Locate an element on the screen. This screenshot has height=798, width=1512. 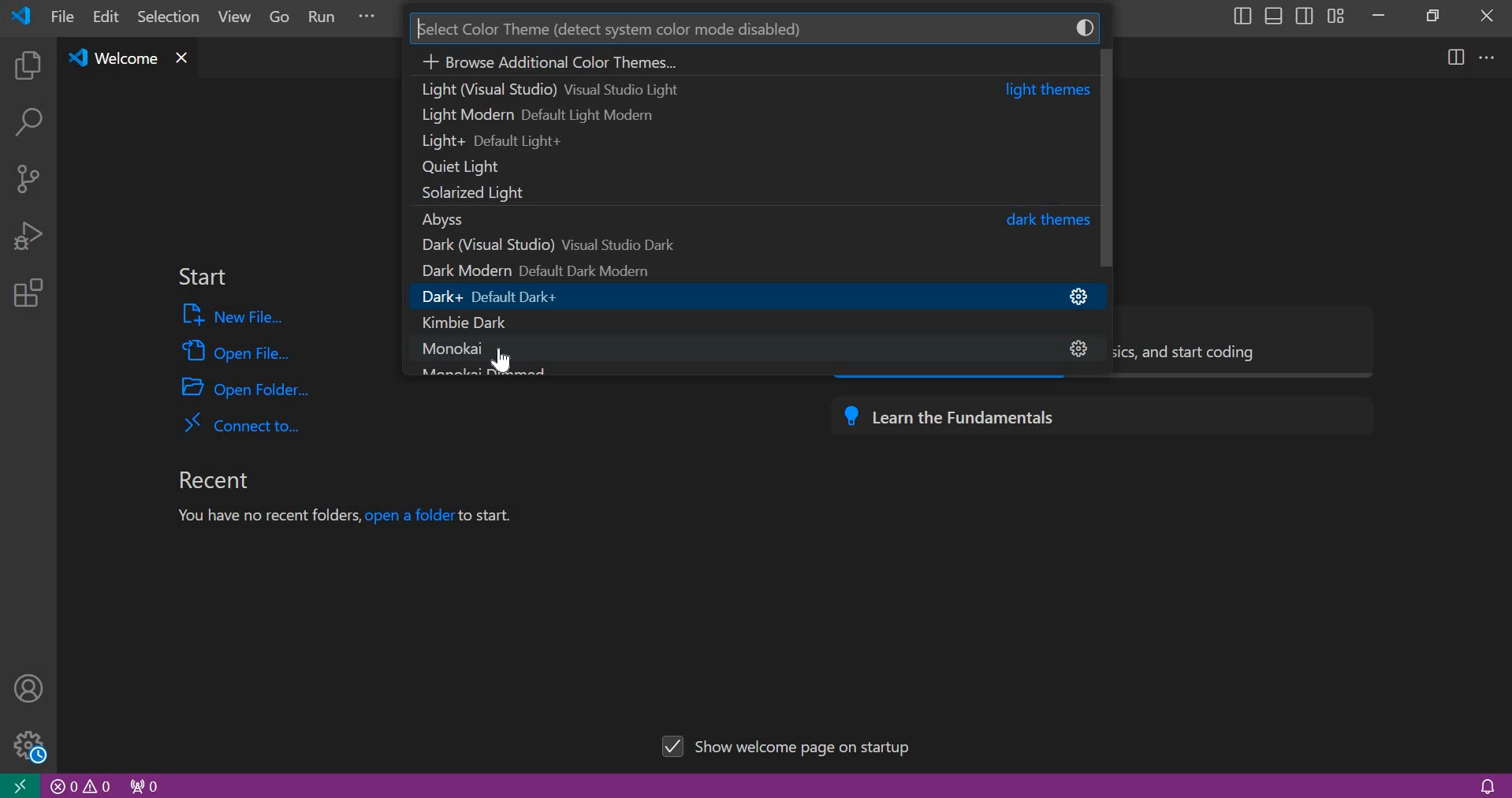
monokai is located at coordinates (746, 347).